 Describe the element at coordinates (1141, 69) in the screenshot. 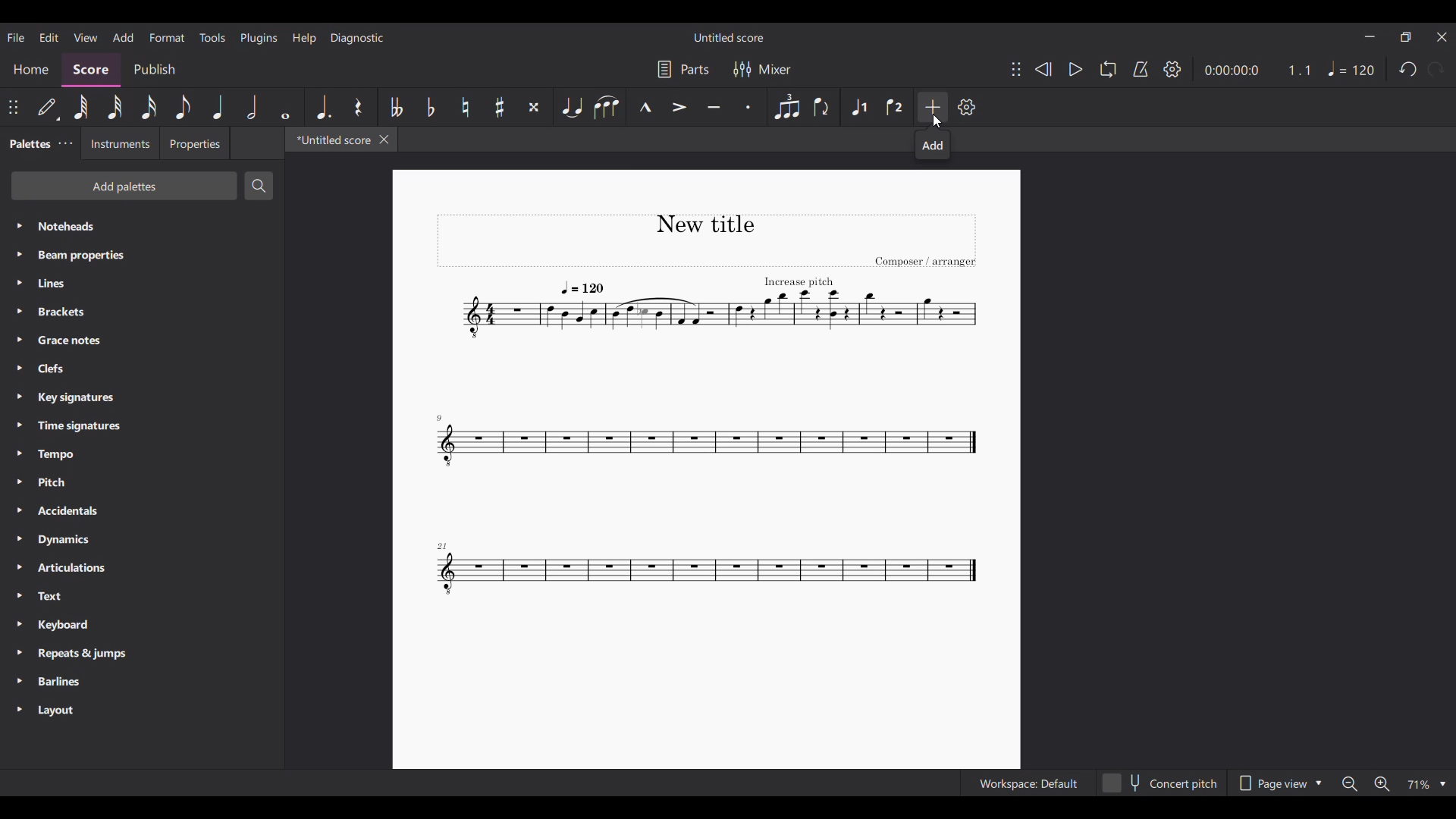

I see `Metronome` at that location.